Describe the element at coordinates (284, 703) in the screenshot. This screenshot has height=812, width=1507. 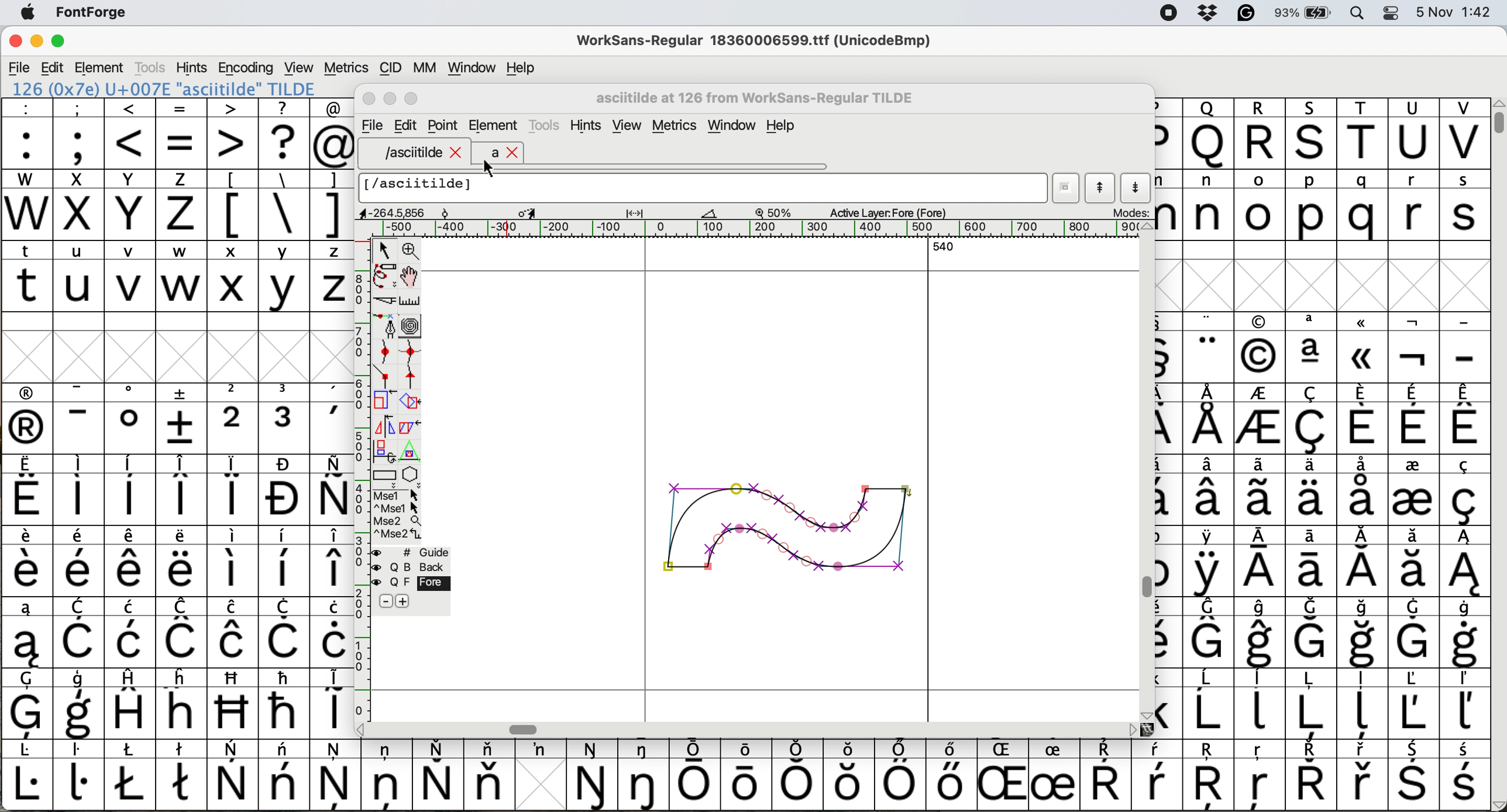
I see `symbol` at that location.